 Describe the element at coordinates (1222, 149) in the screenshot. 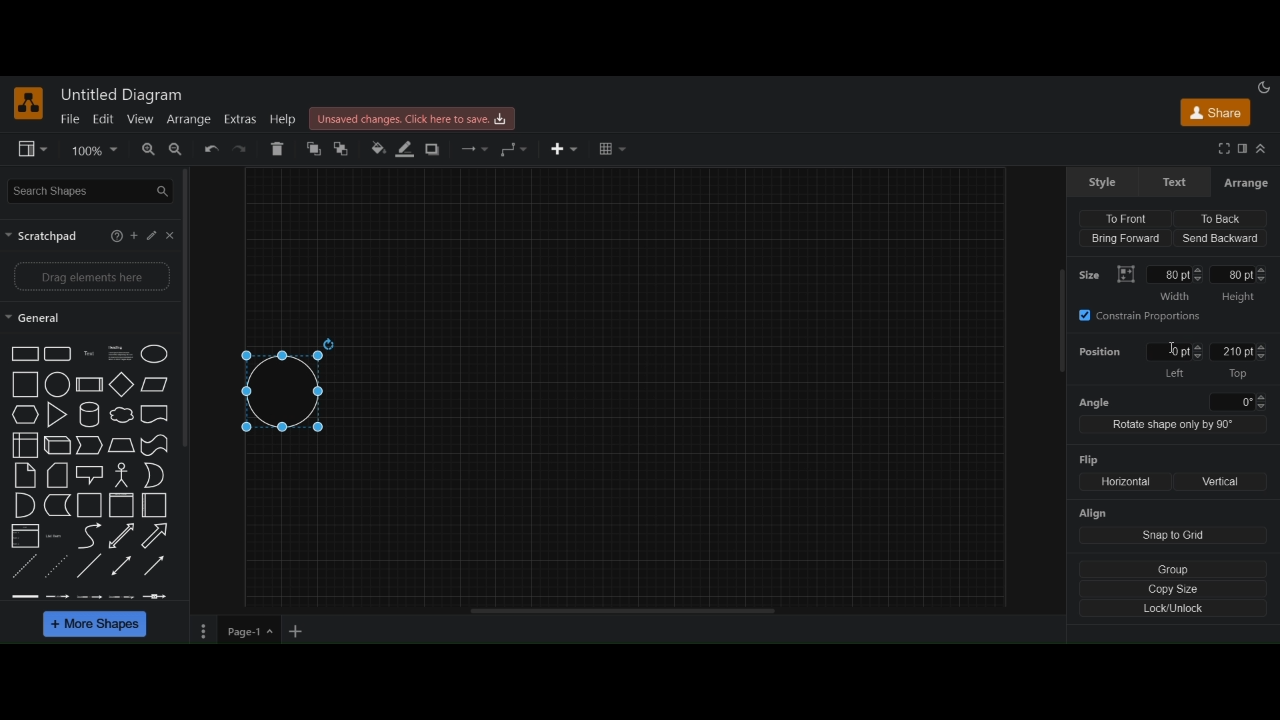

I see `fullscreen` at that location.